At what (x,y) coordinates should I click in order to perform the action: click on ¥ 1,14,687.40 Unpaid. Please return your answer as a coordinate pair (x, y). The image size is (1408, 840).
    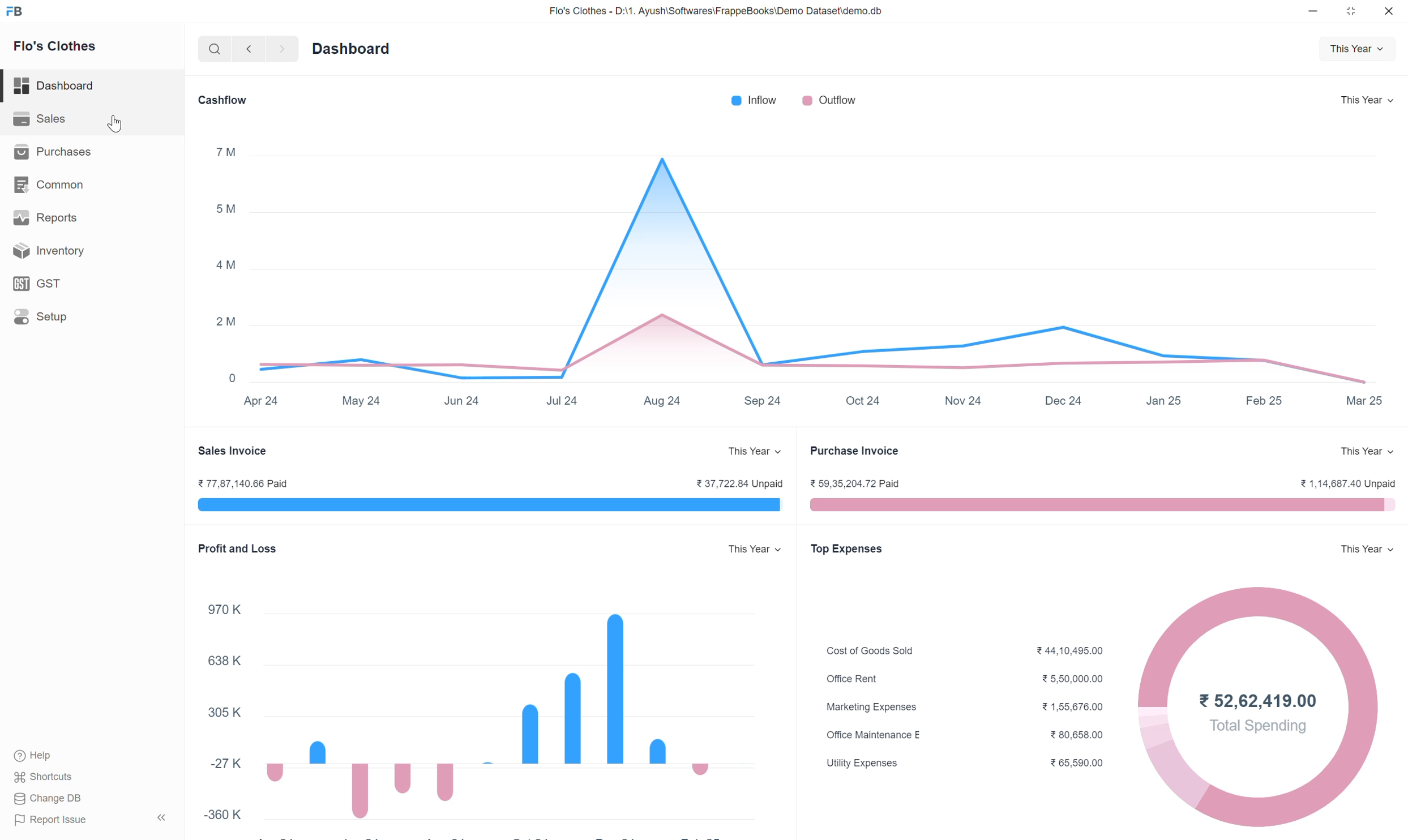
    Looking at the image, I should click on (1343, 481).